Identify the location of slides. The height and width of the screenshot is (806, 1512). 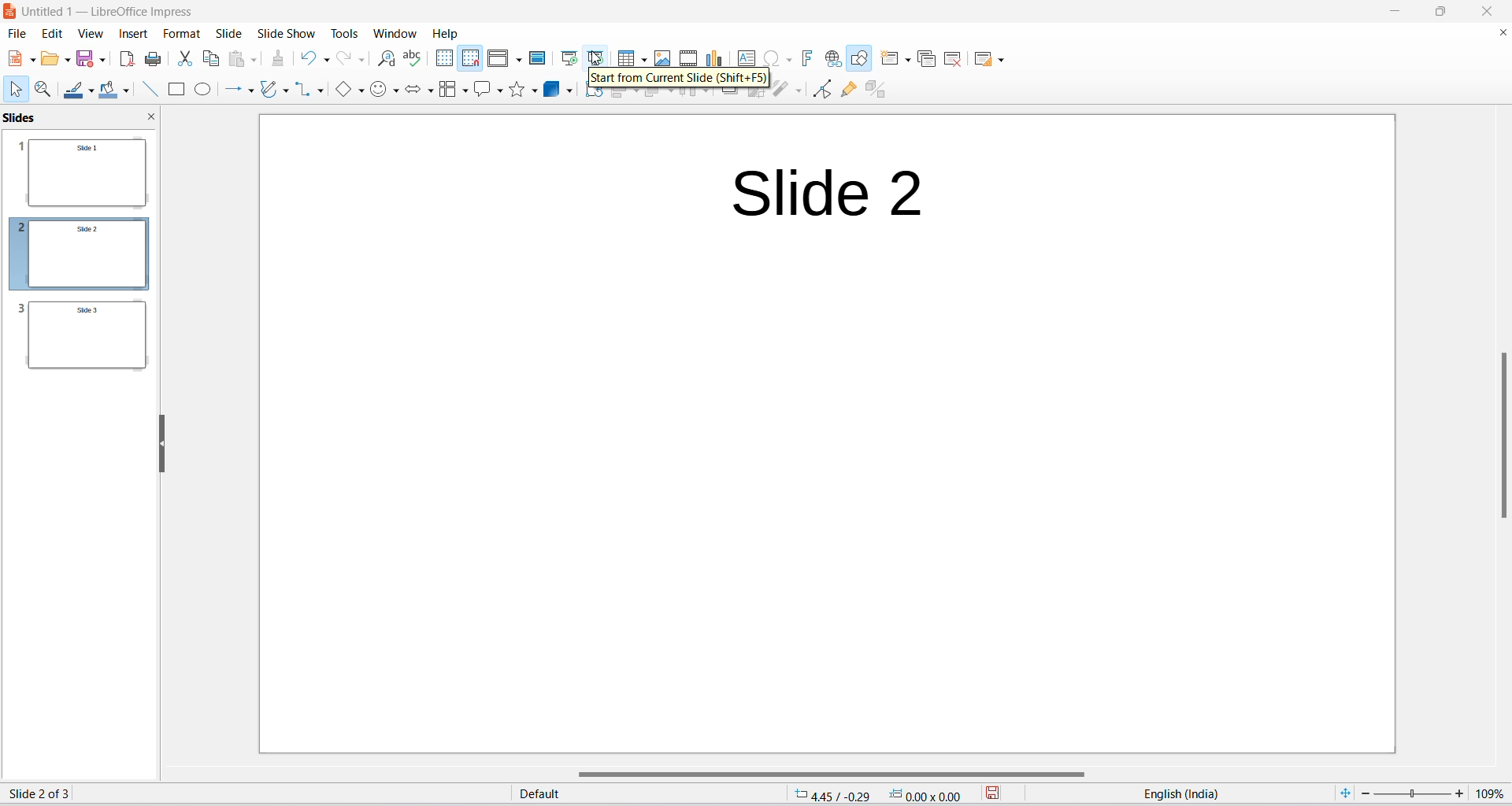
(81, 253).